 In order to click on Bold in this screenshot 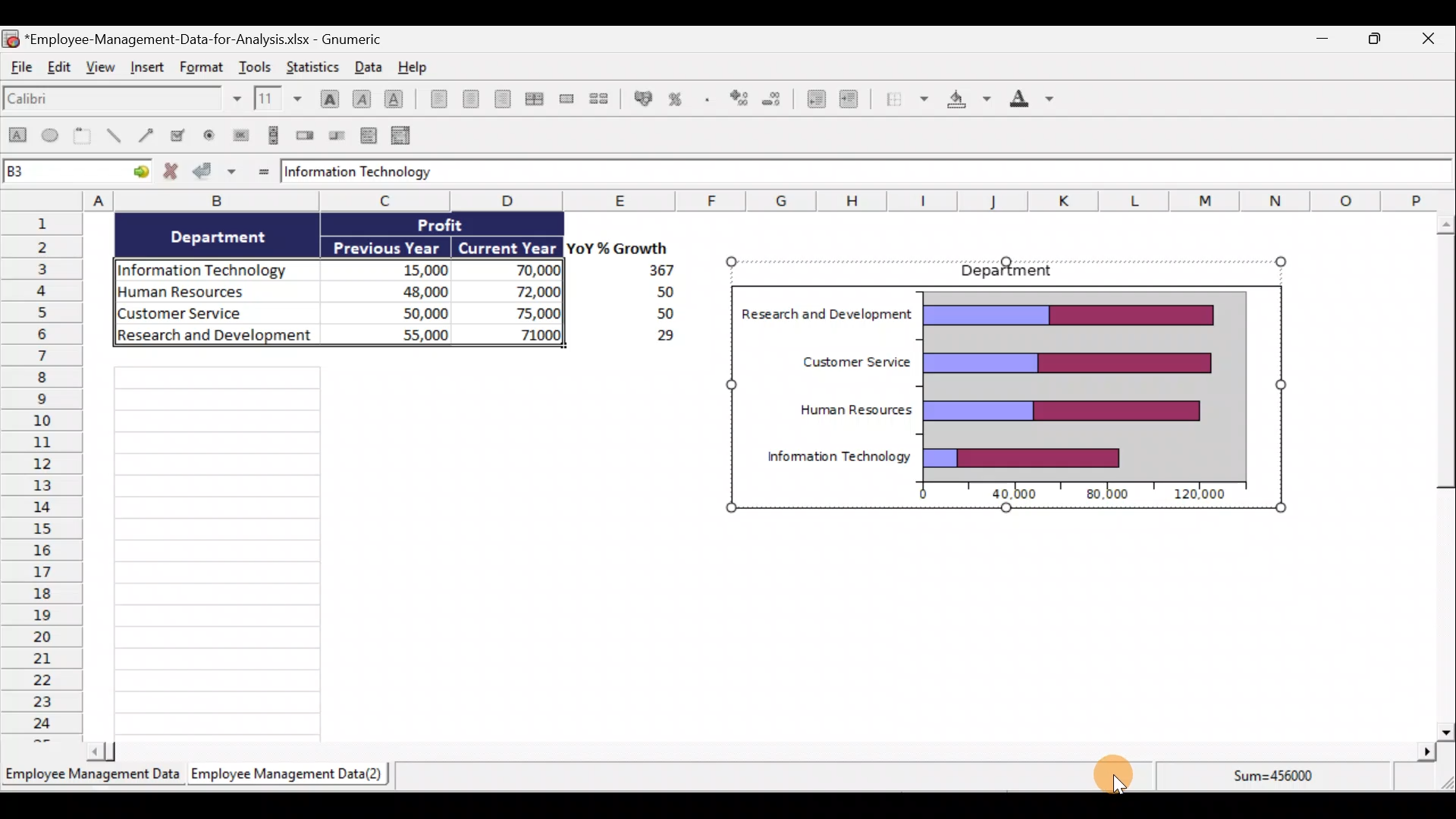, I will do `click(328, 98)`.